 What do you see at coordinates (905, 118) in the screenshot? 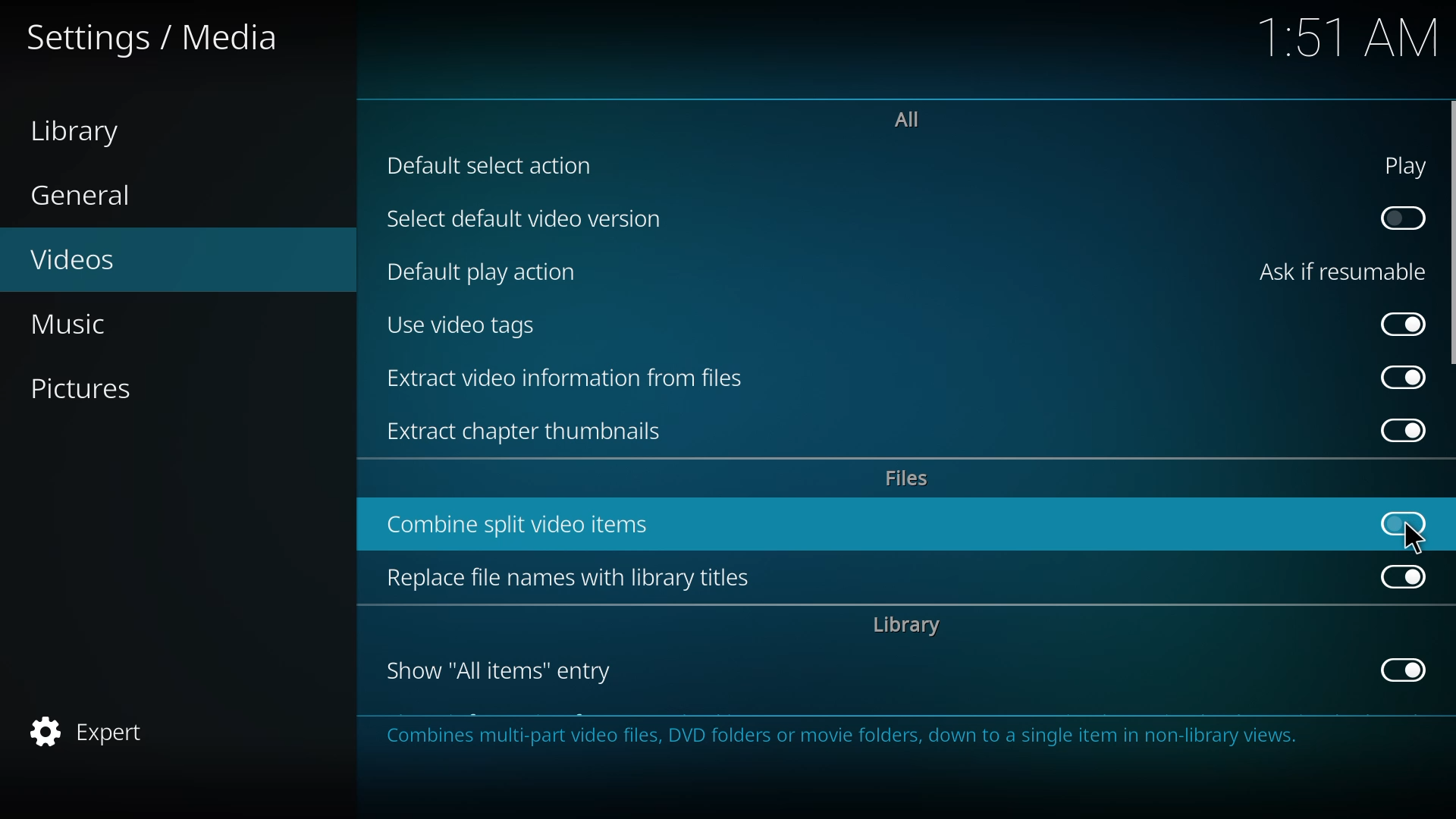
I see `all` at bounding box center [905, 118].